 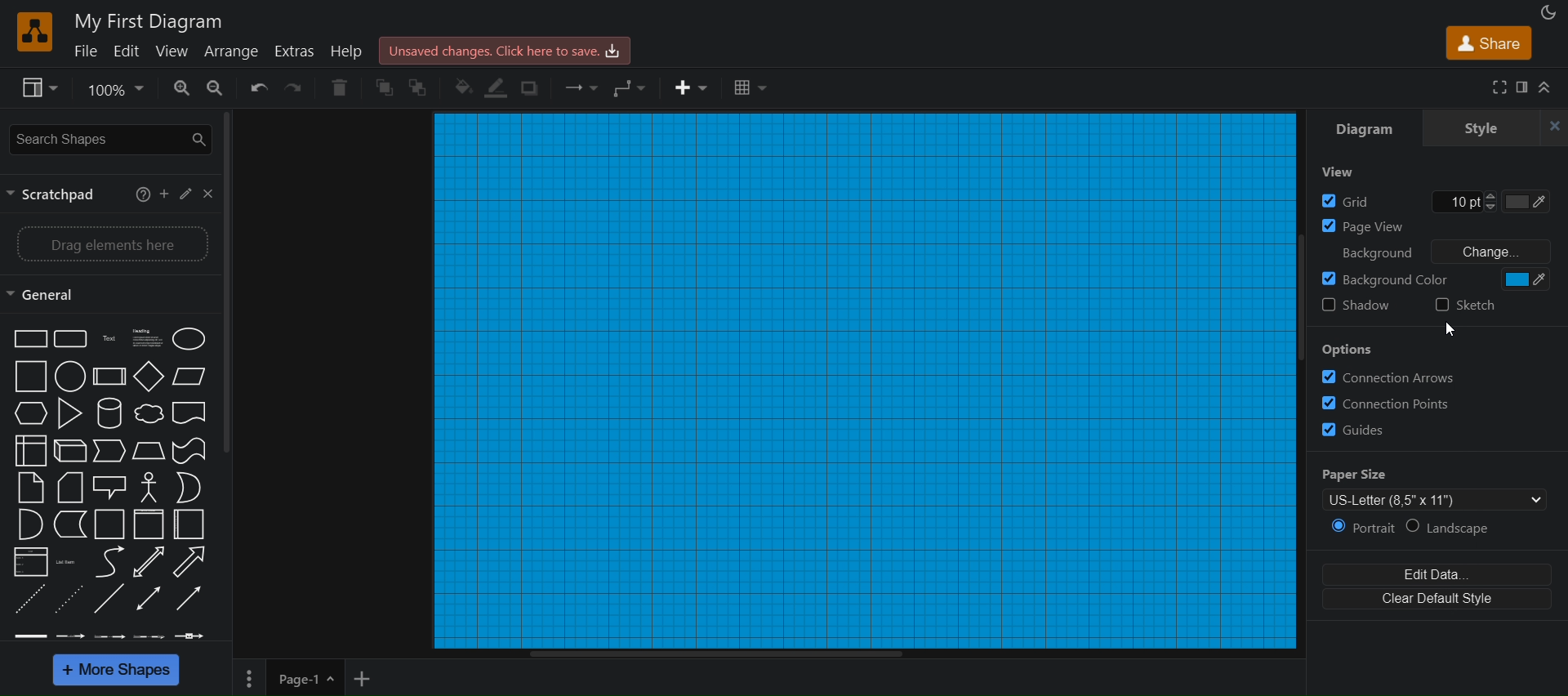 What do you see at coordinates (1454, 331) in the screenshot?
I see `cursor` at bounding box center [1454, 331].